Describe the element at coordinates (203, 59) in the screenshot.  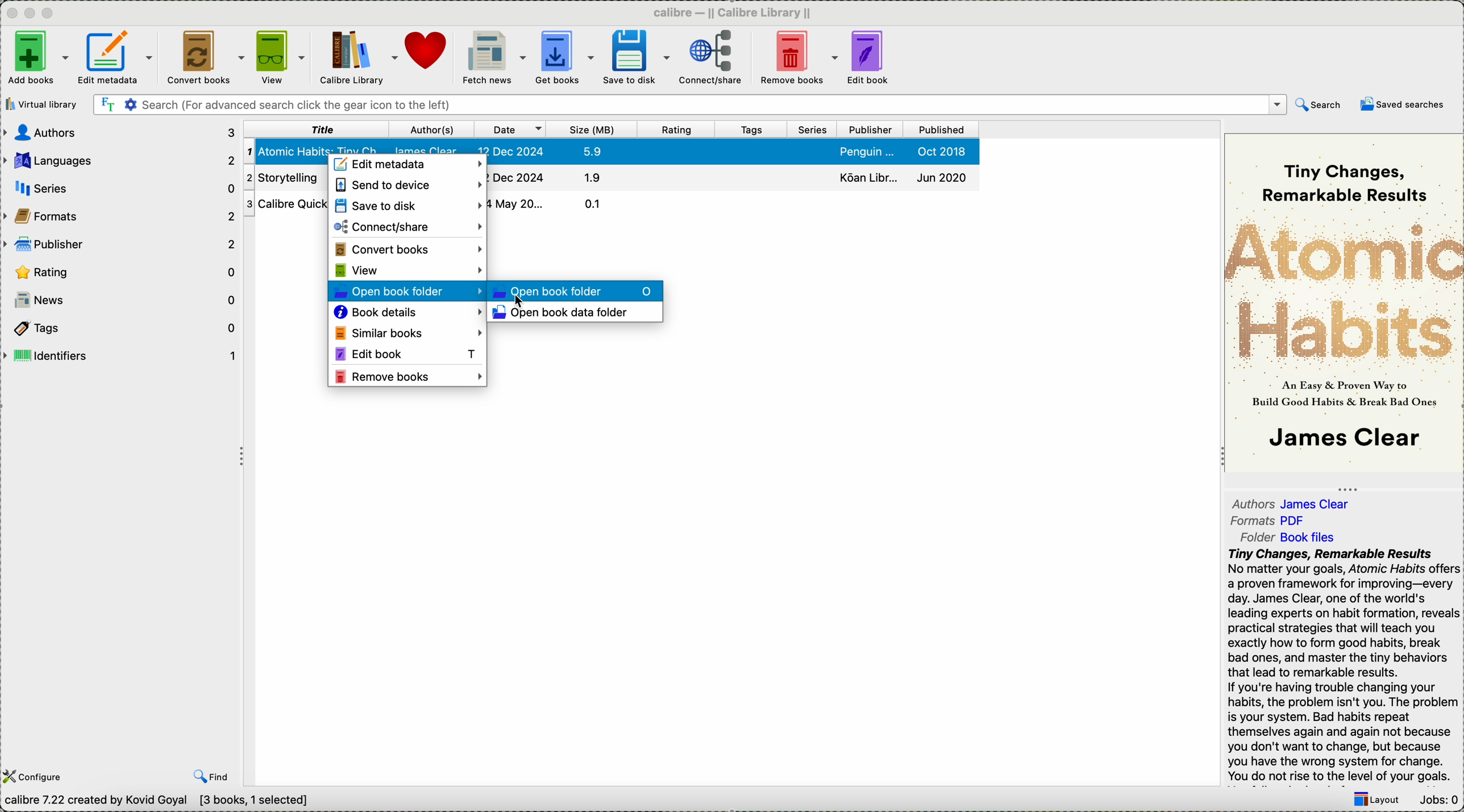
I see `convert books` at that location.